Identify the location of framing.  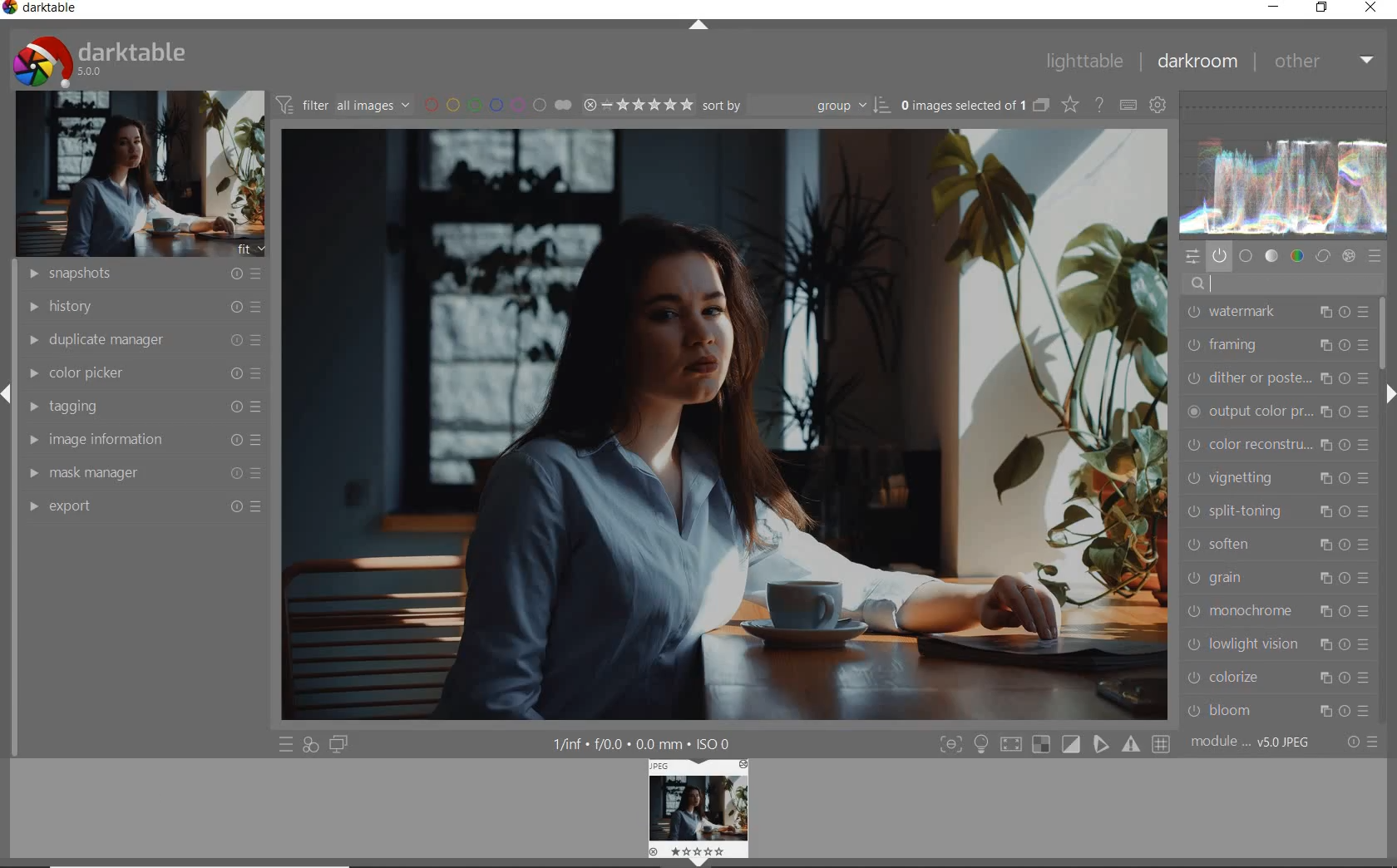
(1278, 344).